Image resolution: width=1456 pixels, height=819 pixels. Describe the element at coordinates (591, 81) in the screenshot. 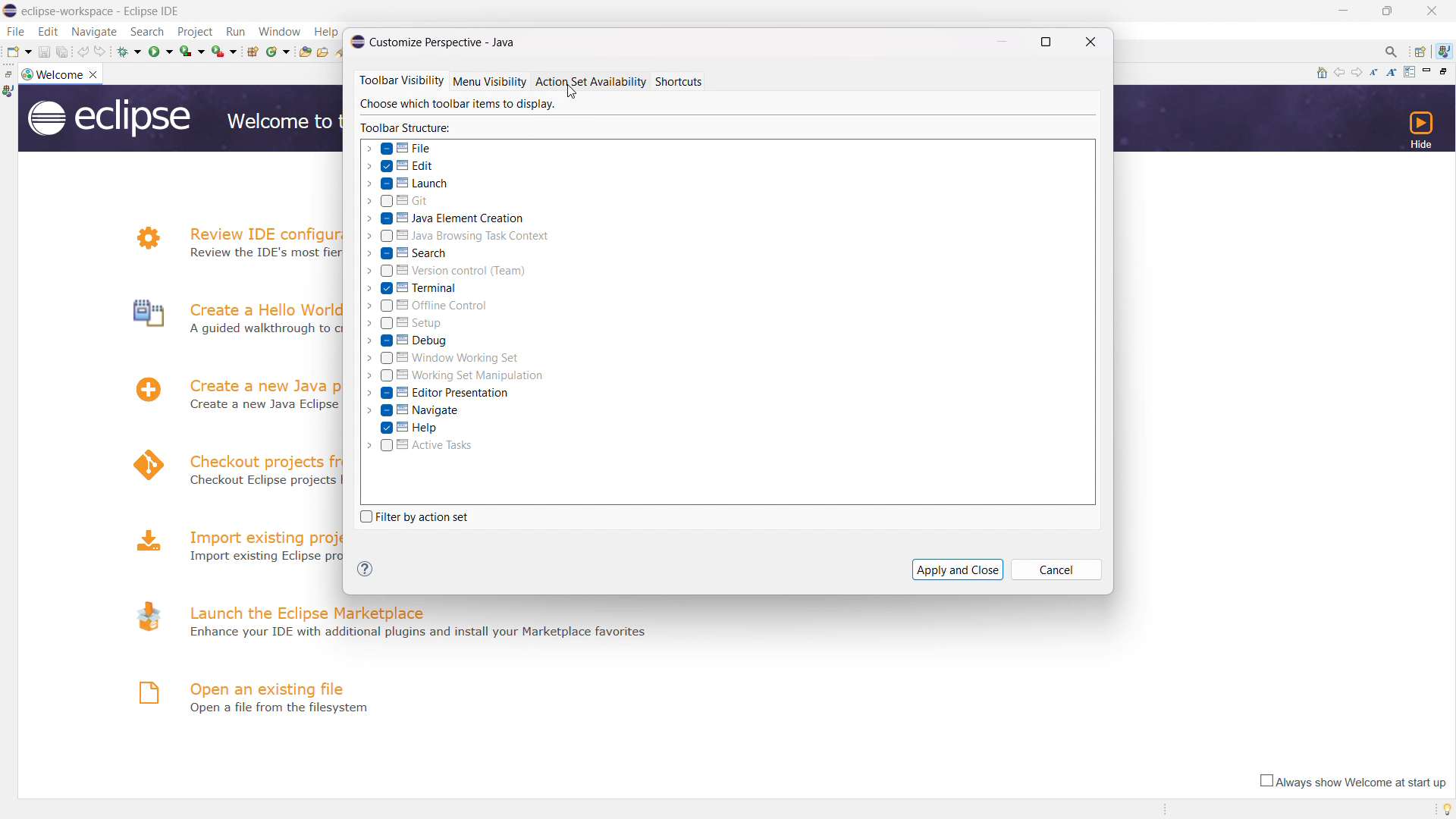

I see `action set availability` at that location.